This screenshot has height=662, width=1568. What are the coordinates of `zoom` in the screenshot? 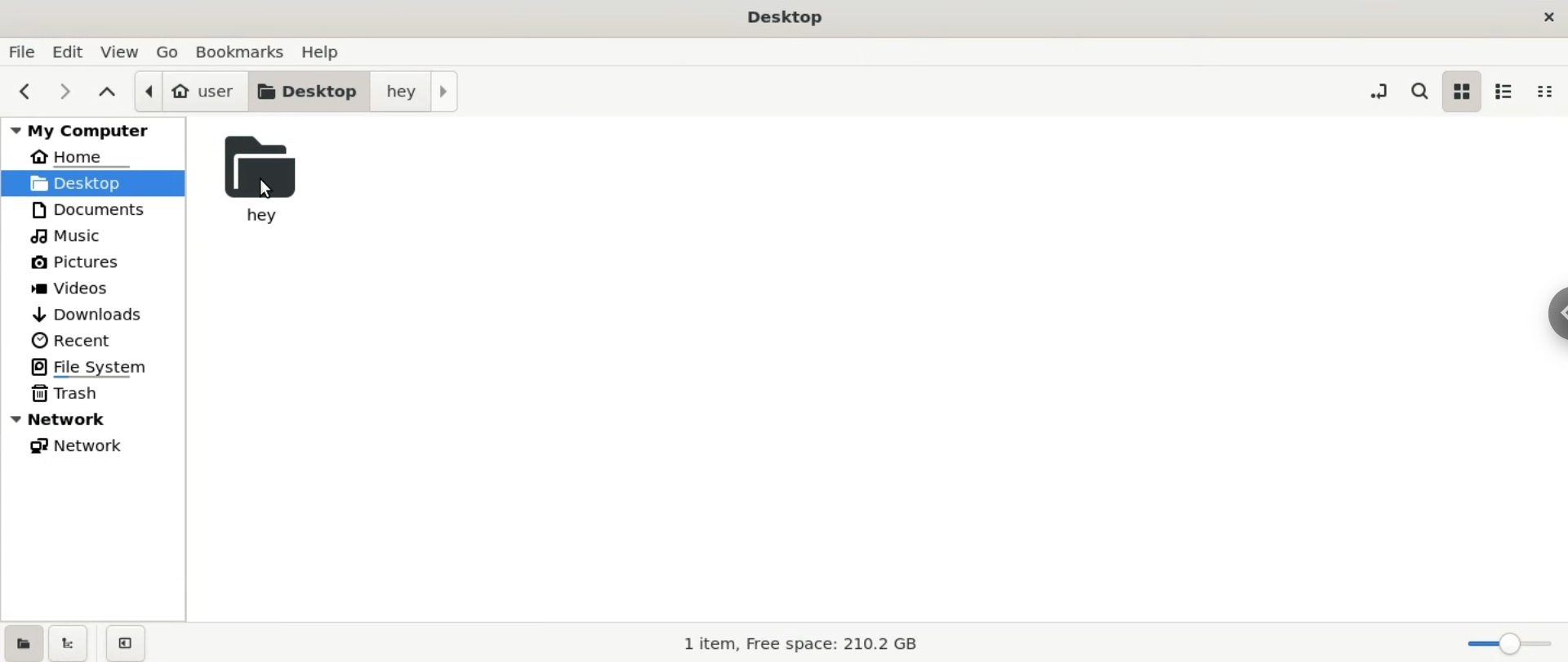 It's located at (1509, 646).